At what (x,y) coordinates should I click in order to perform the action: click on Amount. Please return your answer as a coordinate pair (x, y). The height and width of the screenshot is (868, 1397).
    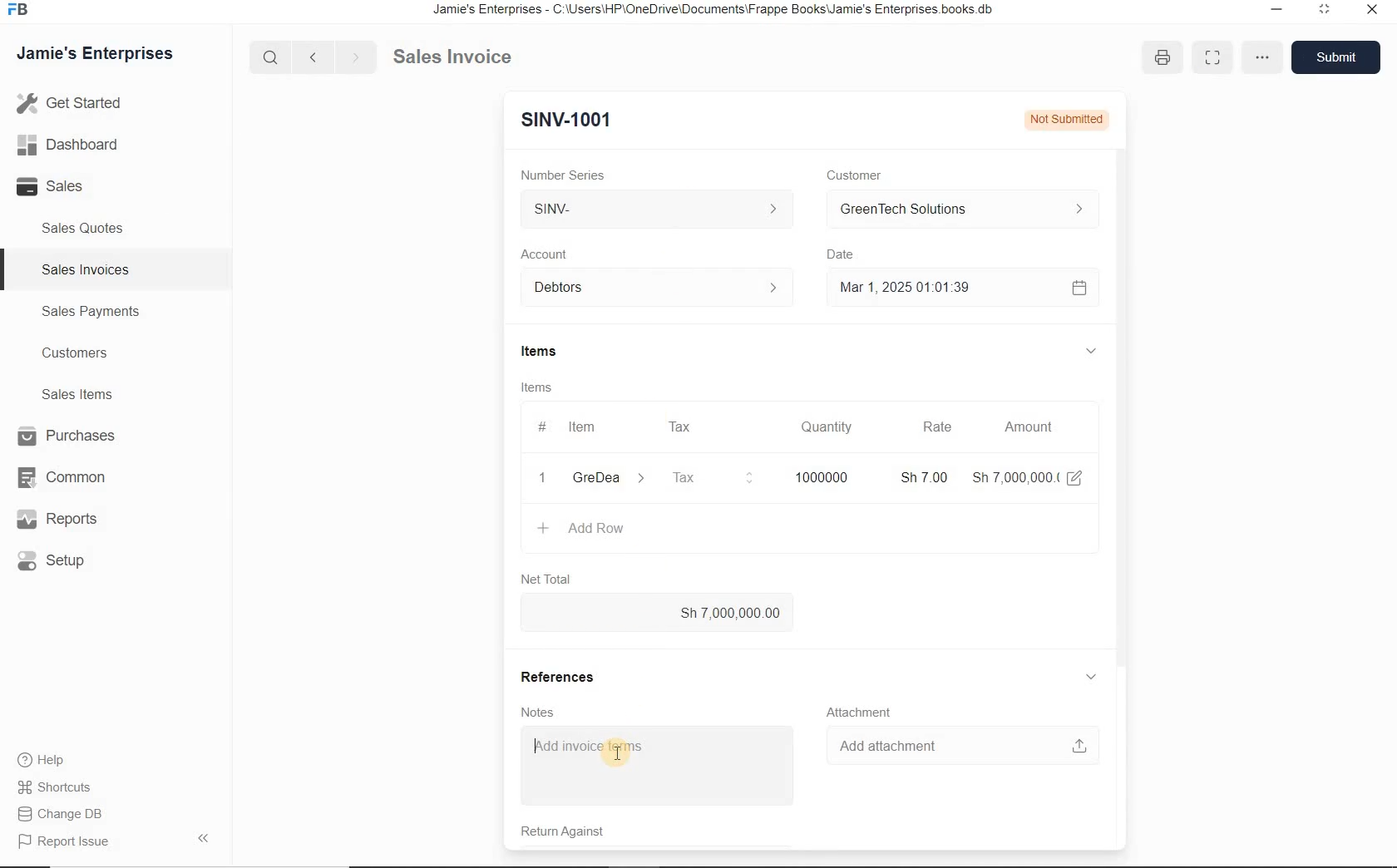
    Looking at the image, I should click on (1028, 427).